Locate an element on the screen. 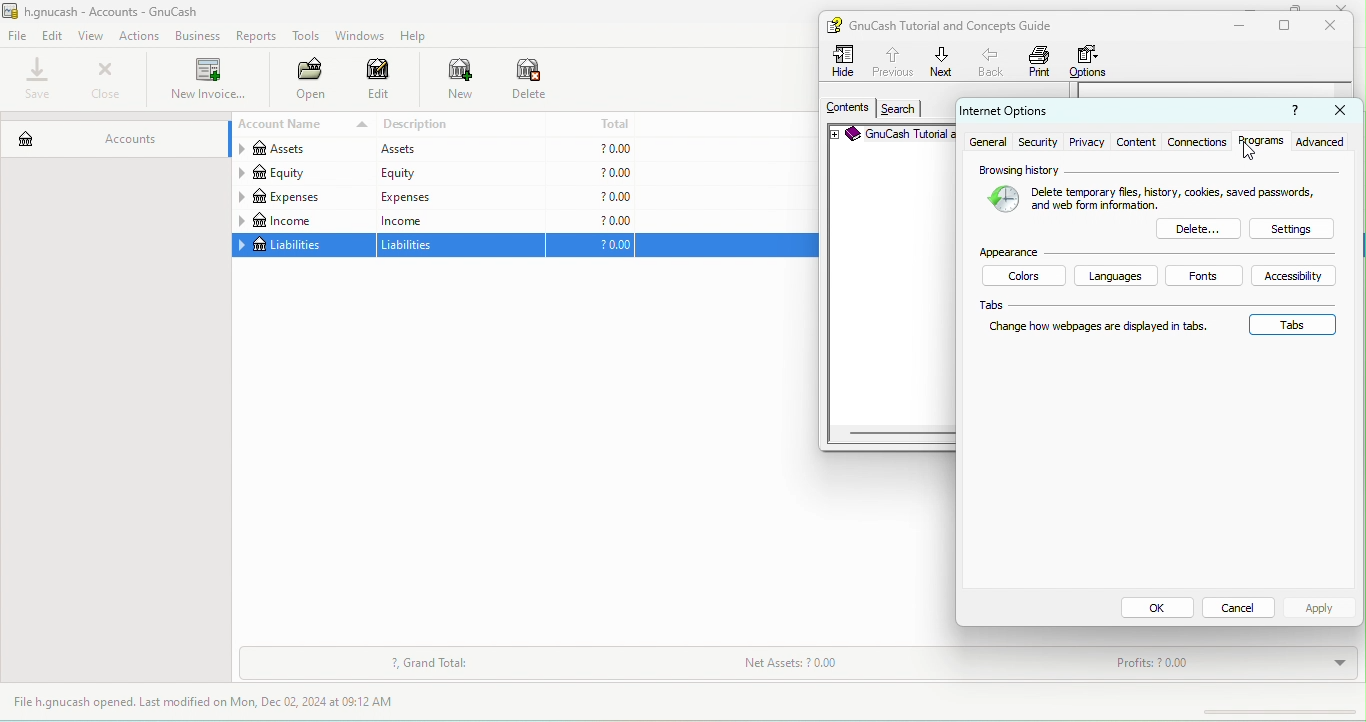 This screenshot has height=722, width=1366. security is located at coordinates (1041, 142).